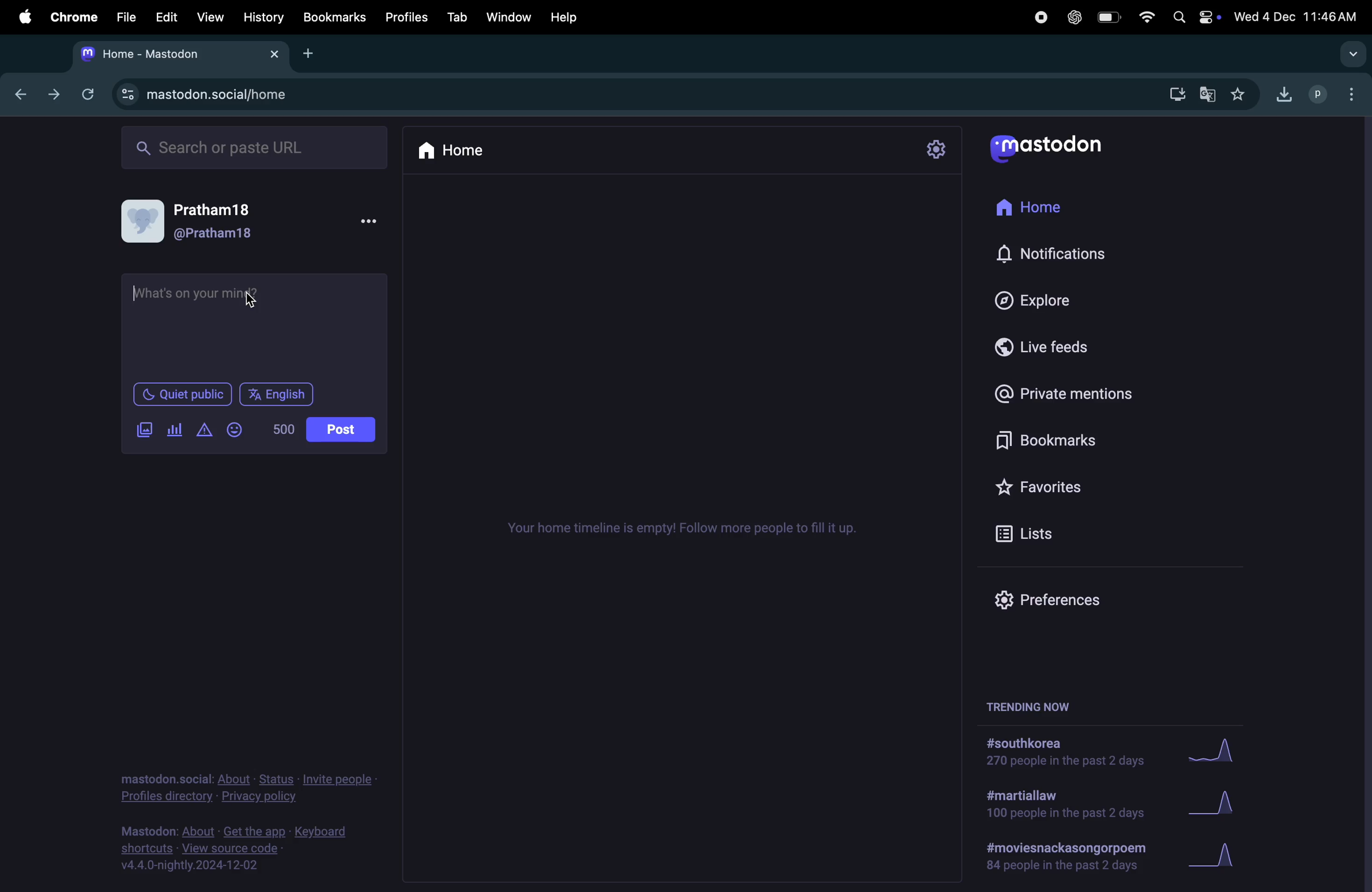 The height and width of the screenshot is (892, 1372). Describe the element at coordinates (1247, 93) in the screenshot. I see `favourites` at that location.